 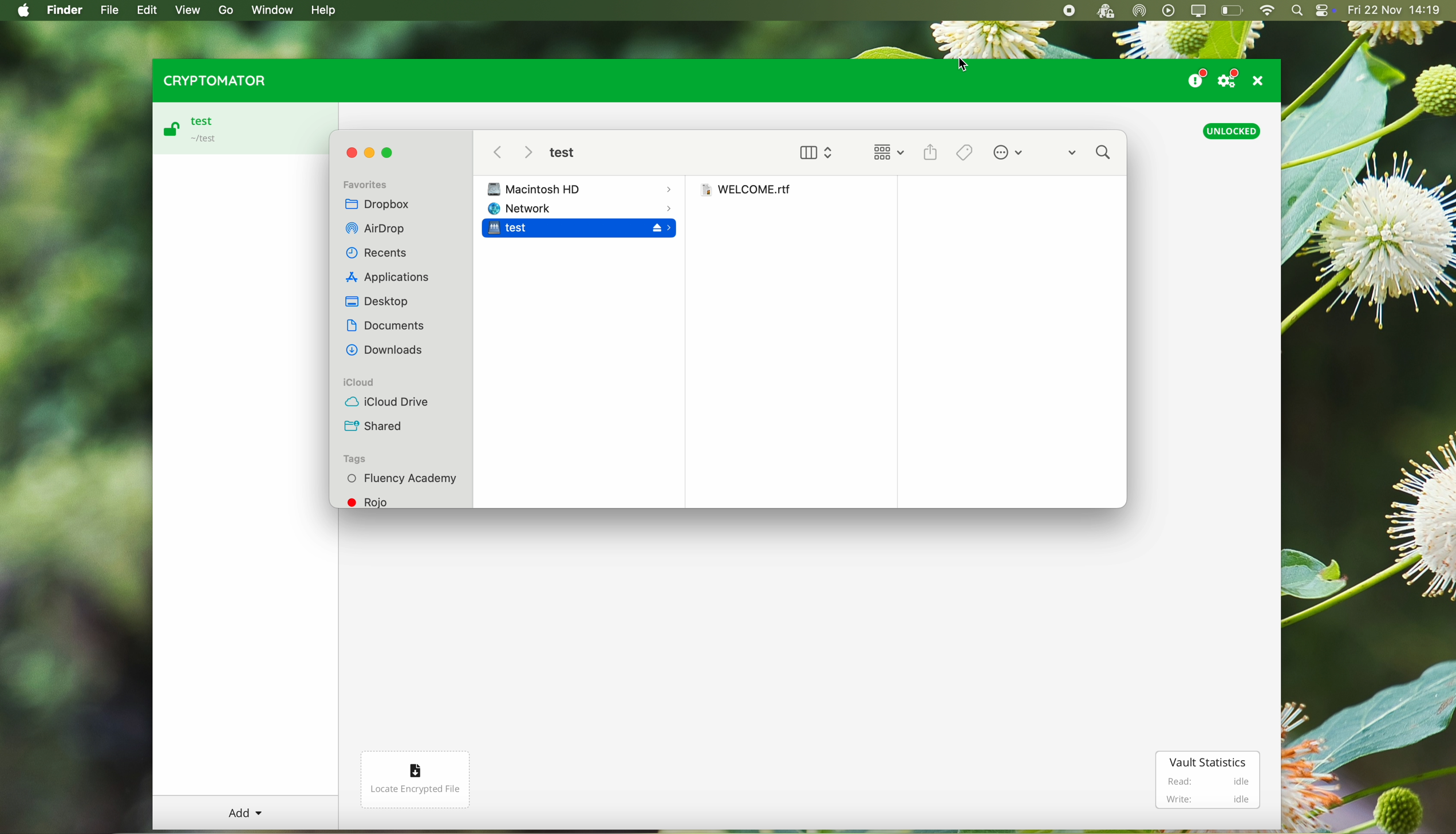 I want to click on performed task, so click(x=1009, y=153).